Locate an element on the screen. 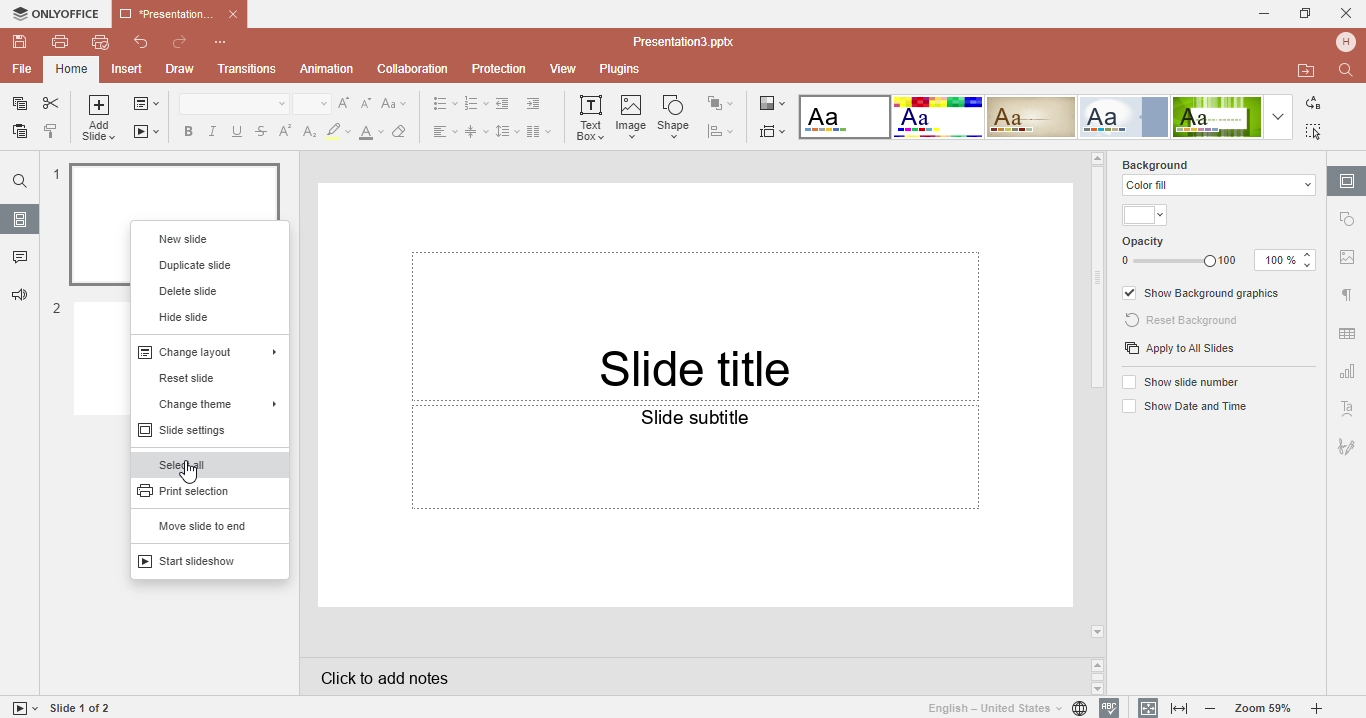  Blank is located at coordinates (844, 117).